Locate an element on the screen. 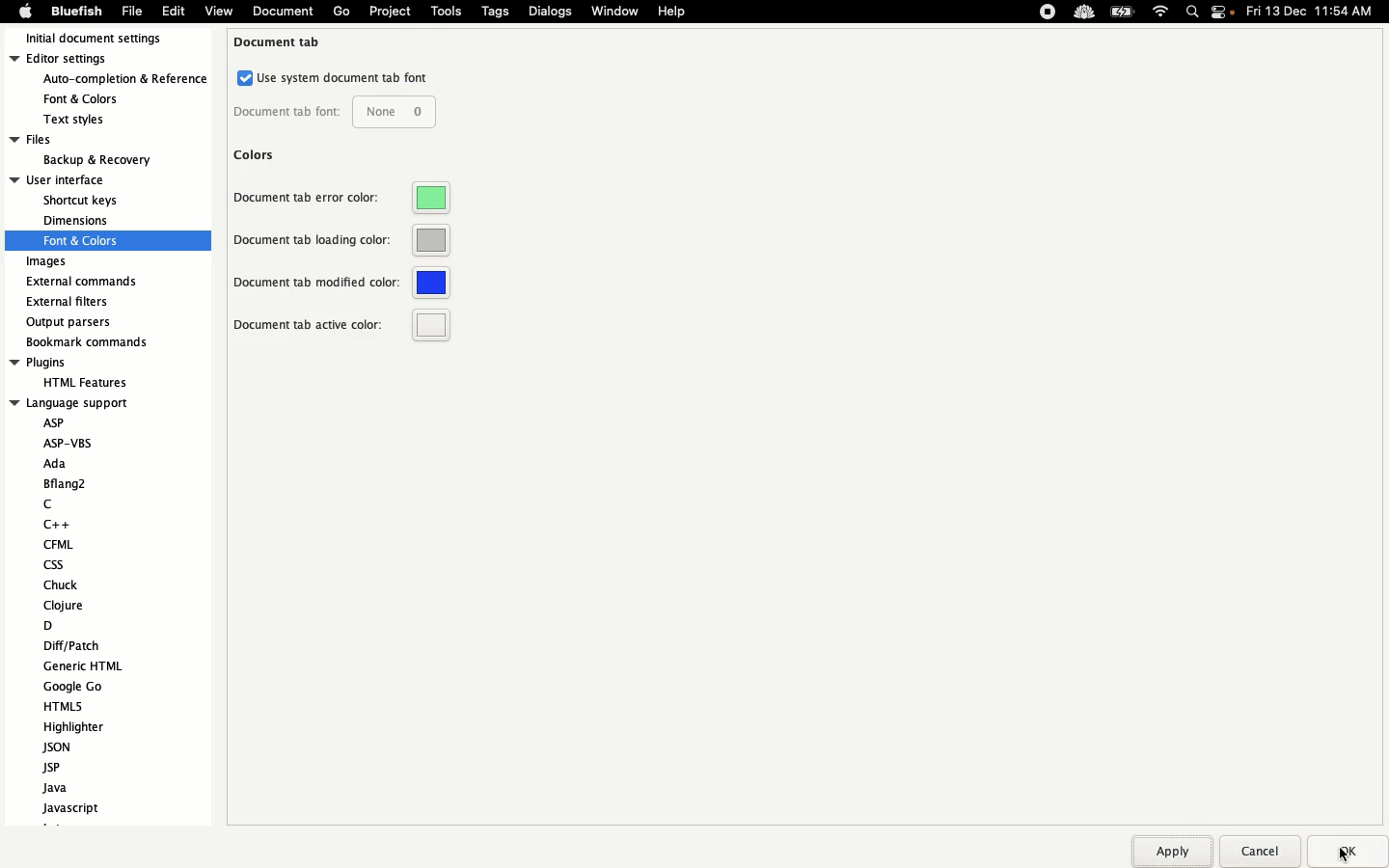 This screenshot has width=1389, height=868. view is located at coordinates (218, 14).